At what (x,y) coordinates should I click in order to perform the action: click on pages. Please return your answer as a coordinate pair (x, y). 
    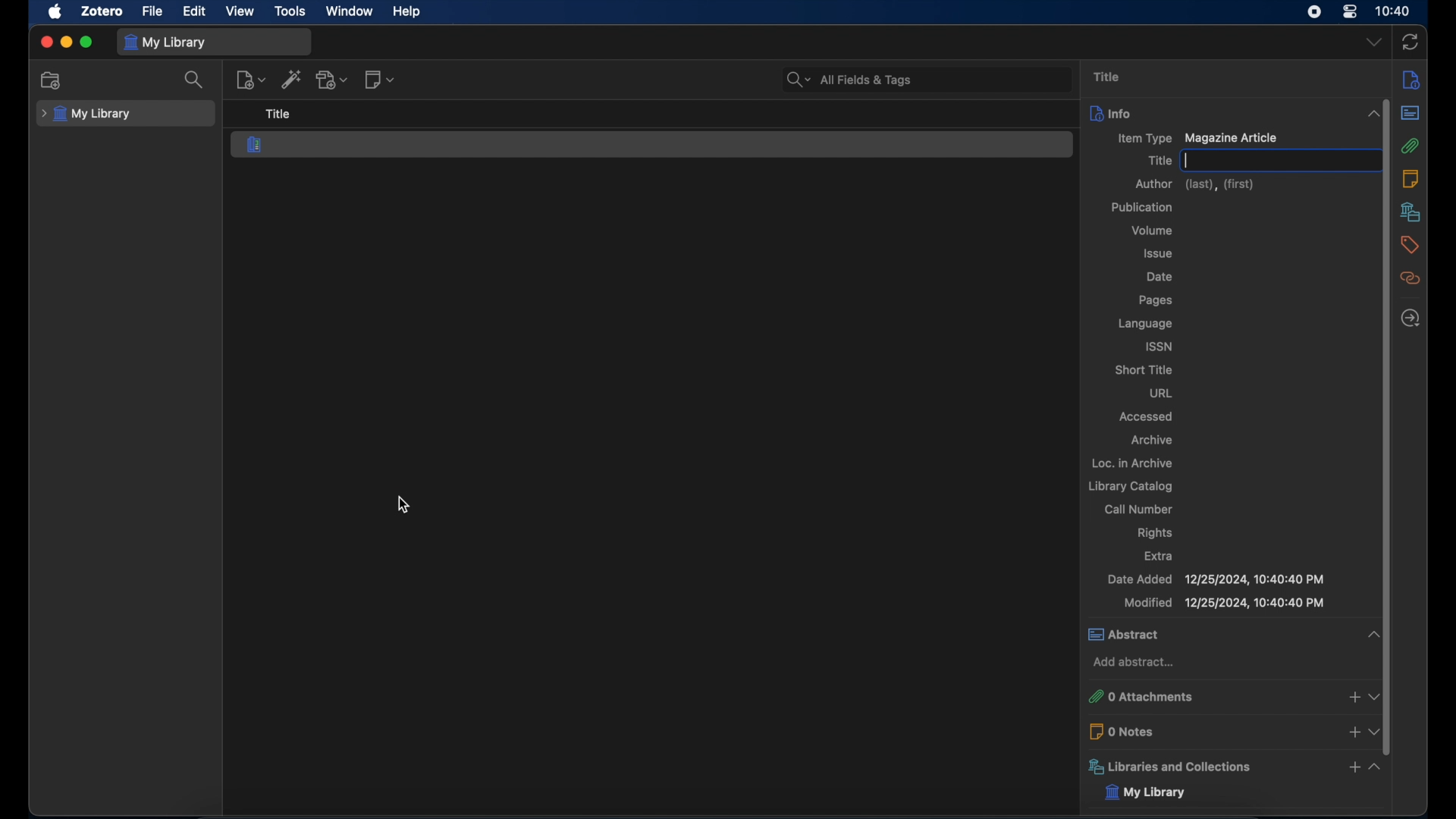
    Looking at the image, I should click on (1155, 300).